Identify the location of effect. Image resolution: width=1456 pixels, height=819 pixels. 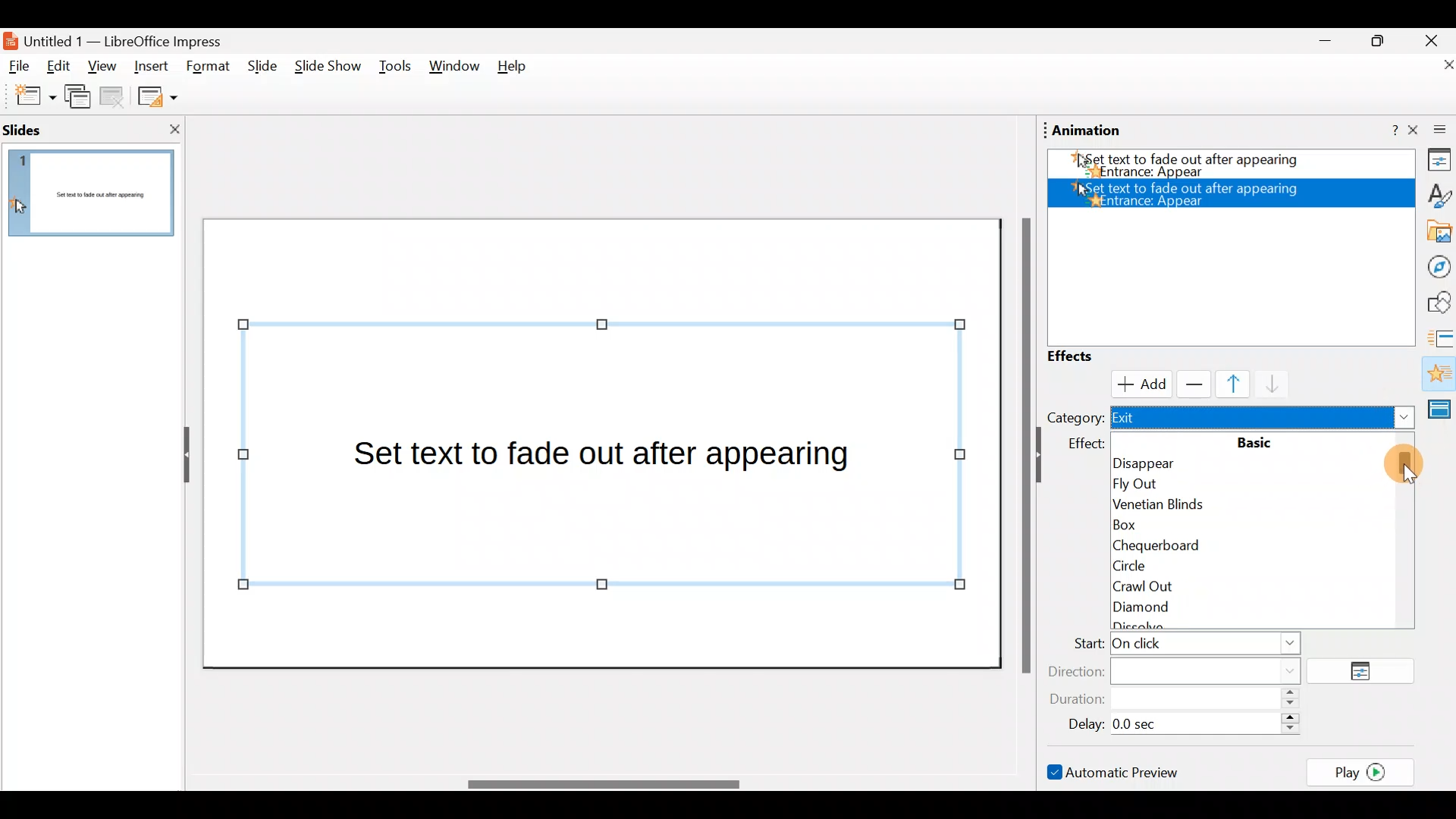
(1086, 444).